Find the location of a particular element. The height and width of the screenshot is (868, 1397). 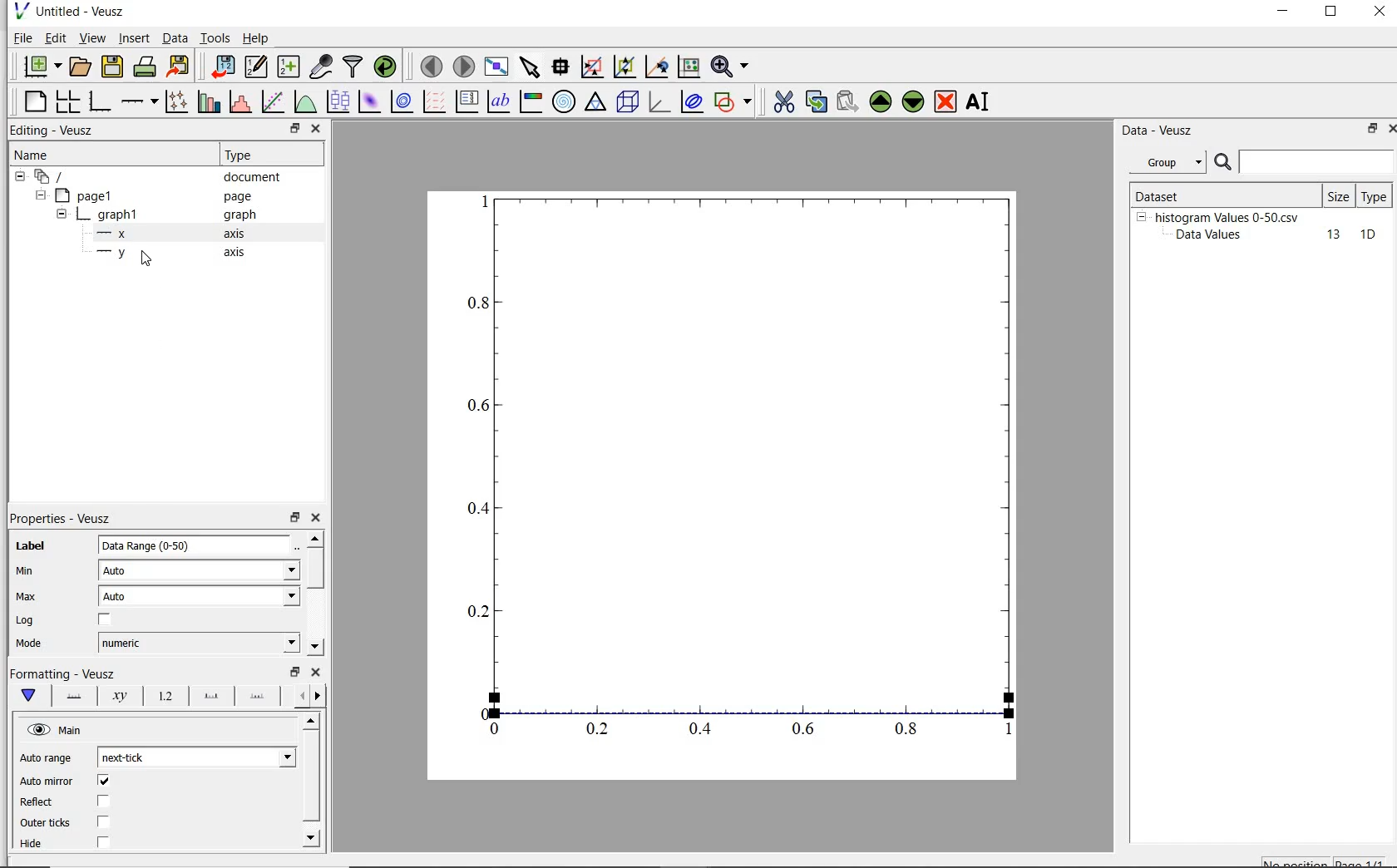

group is located at coordinates (1166, 162).